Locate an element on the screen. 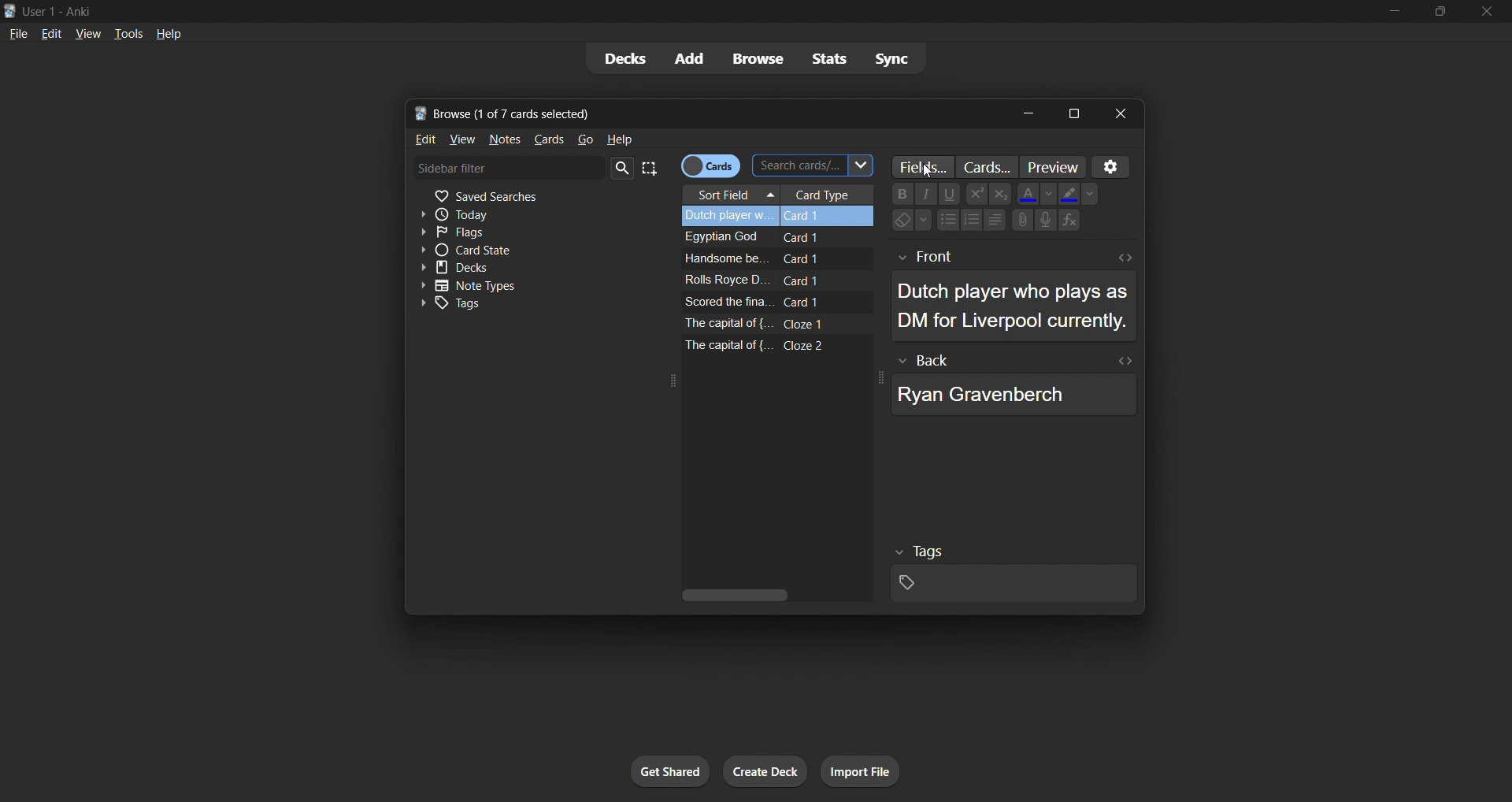 The image size is (1512, 802). underline is located at coordinates (950, 194).